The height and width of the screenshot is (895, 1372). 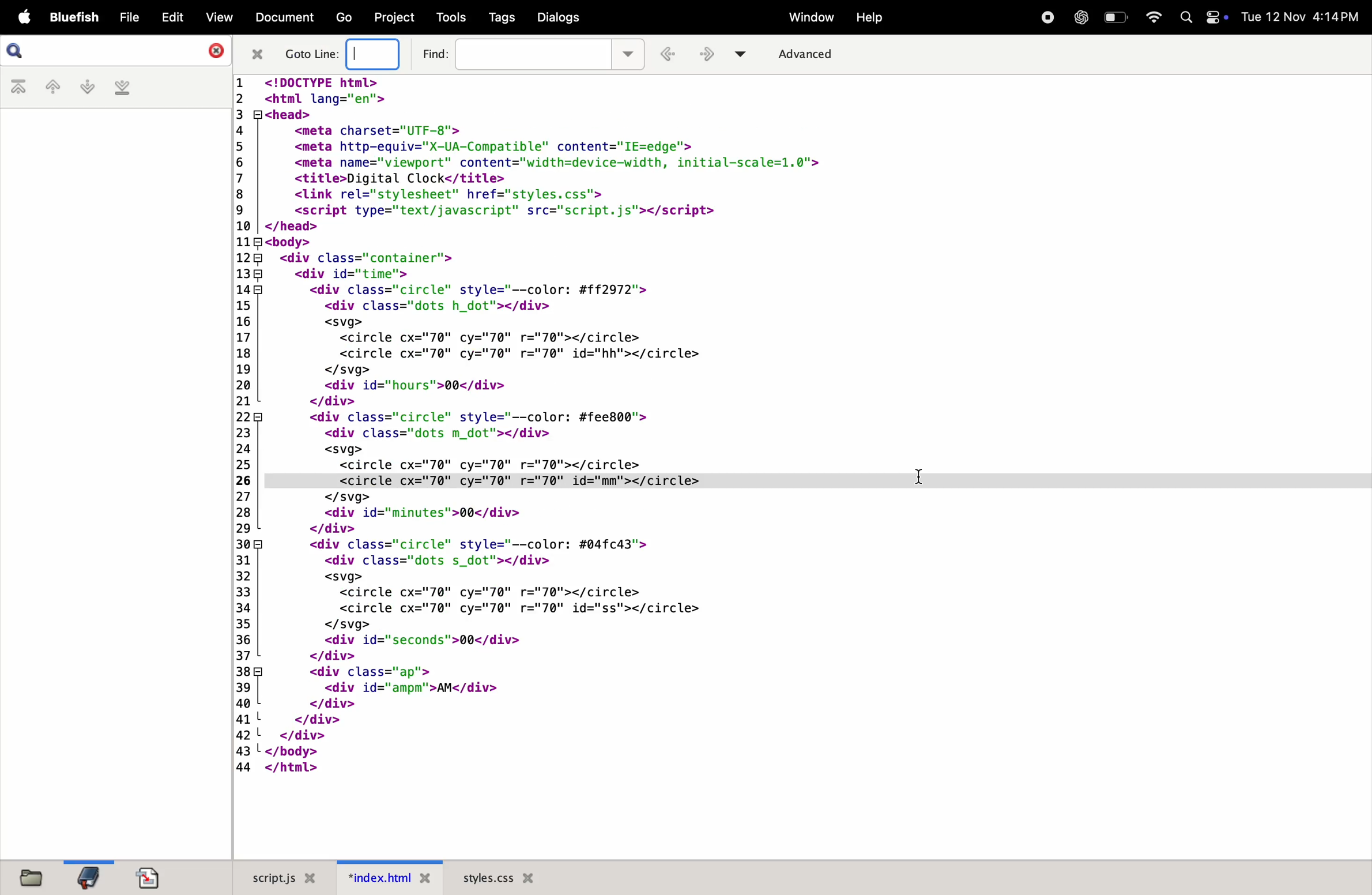 What do you see at coordinates (211, 50) in the screenshot?
I see `close` at bounding box center [211, 50].